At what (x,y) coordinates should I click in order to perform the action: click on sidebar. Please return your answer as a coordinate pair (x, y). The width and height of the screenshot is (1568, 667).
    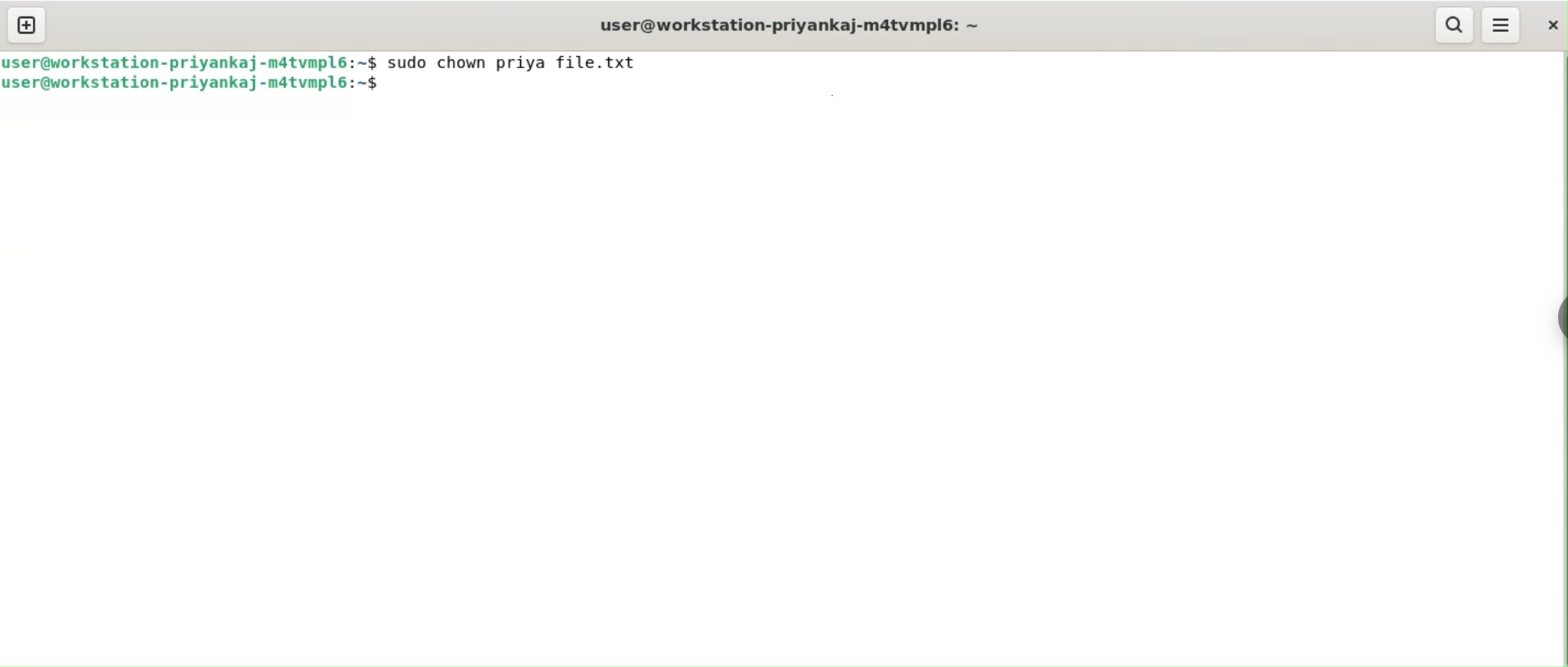
    Looking at the image, I should click on (1558, 315).